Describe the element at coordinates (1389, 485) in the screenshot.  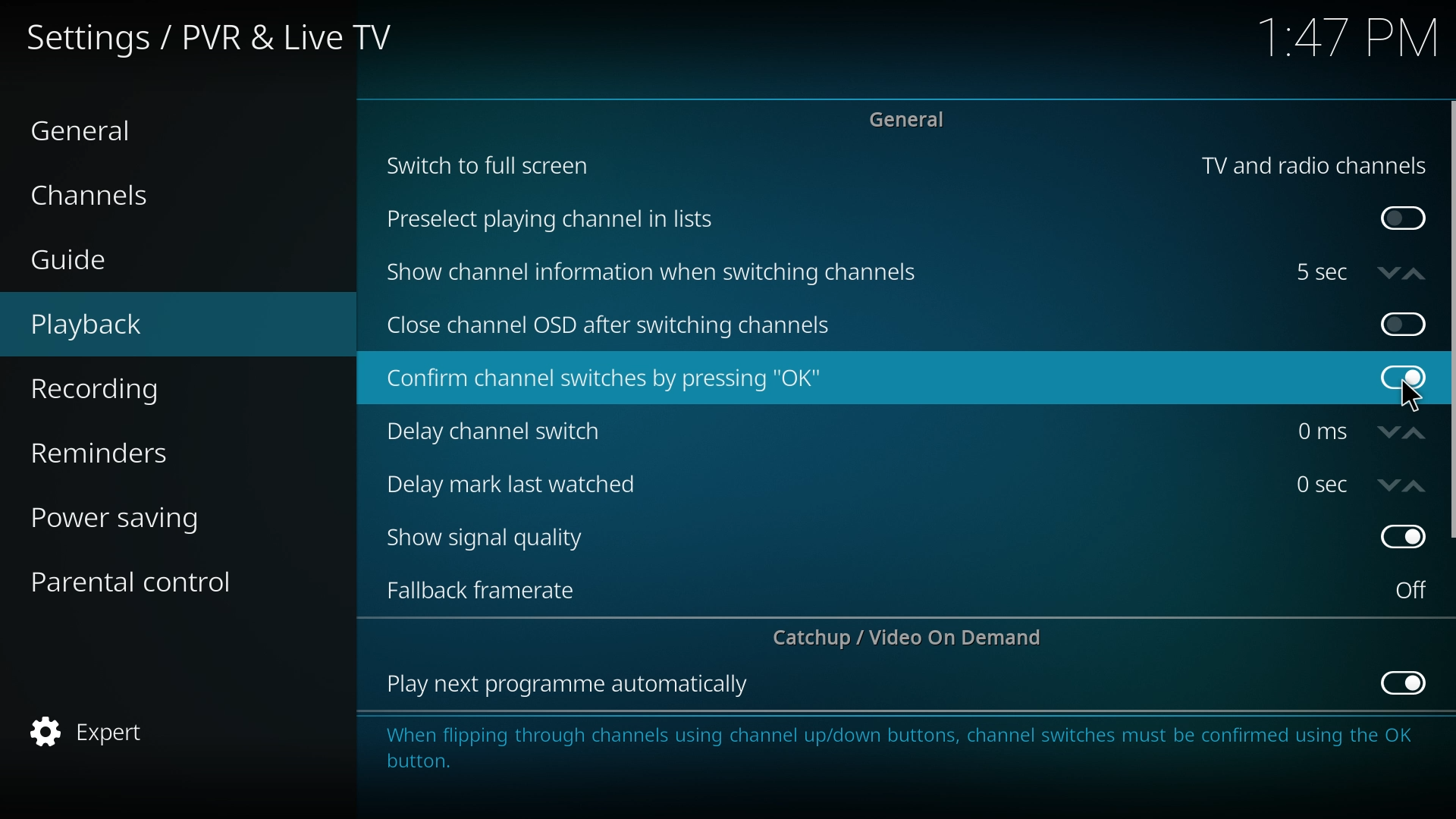
I see `decrease time` at that location.